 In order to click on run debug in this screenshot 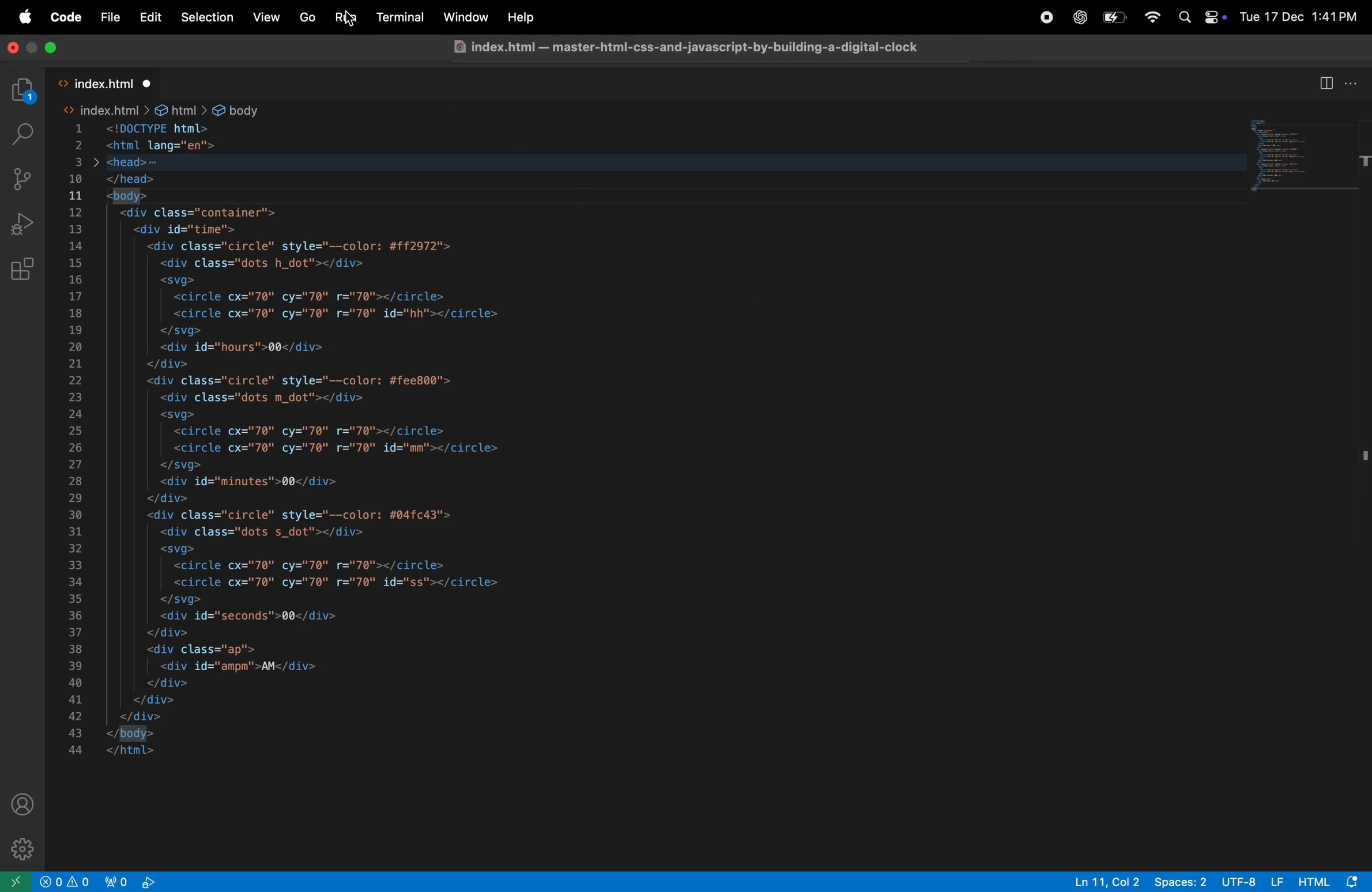, I will do `click(28, 222)`.